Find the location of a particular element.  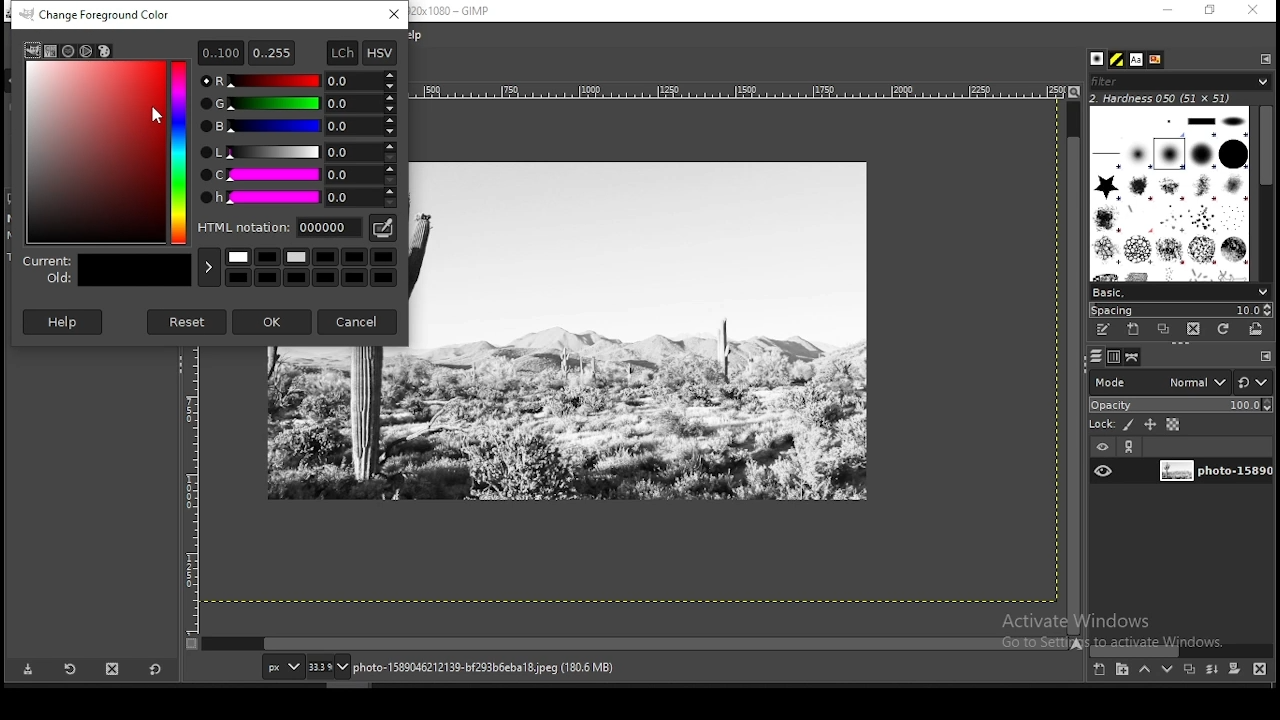

0..100 is located at coordinates (220, 53).